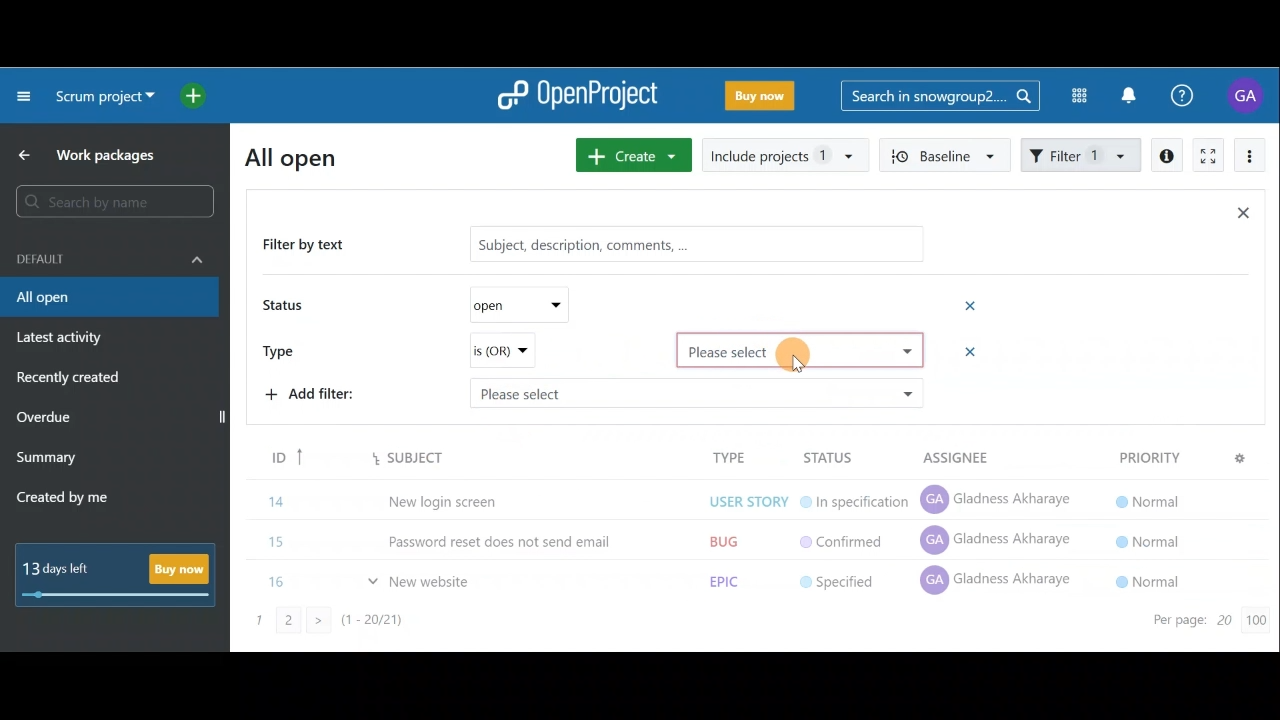  I want to click on OpenProject, so click(577, 97).